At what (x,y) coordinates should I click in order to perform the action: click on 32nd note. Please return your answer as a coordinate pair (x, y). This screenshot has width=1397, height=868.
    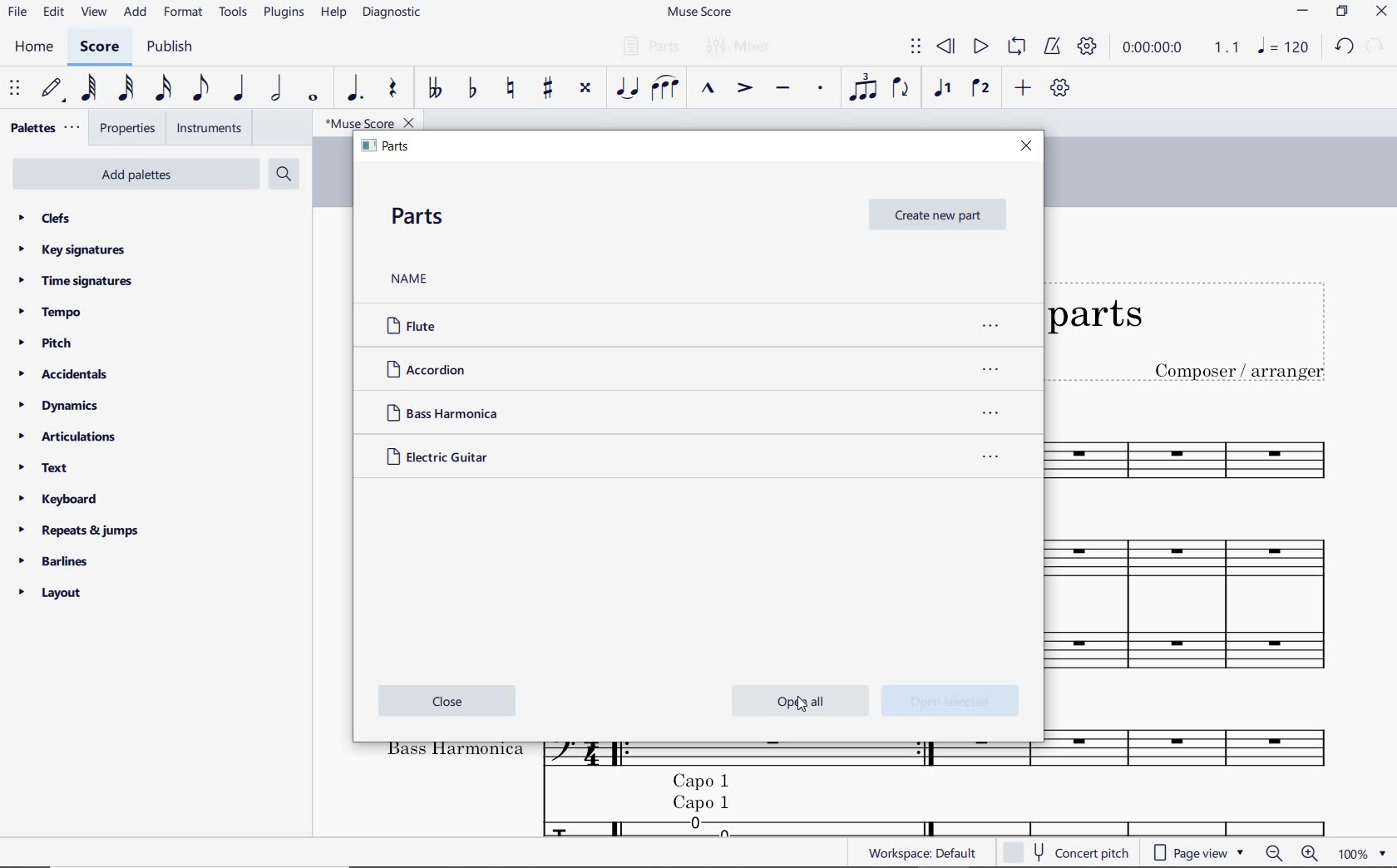
    Looking at the image, I should click on (123, 88).